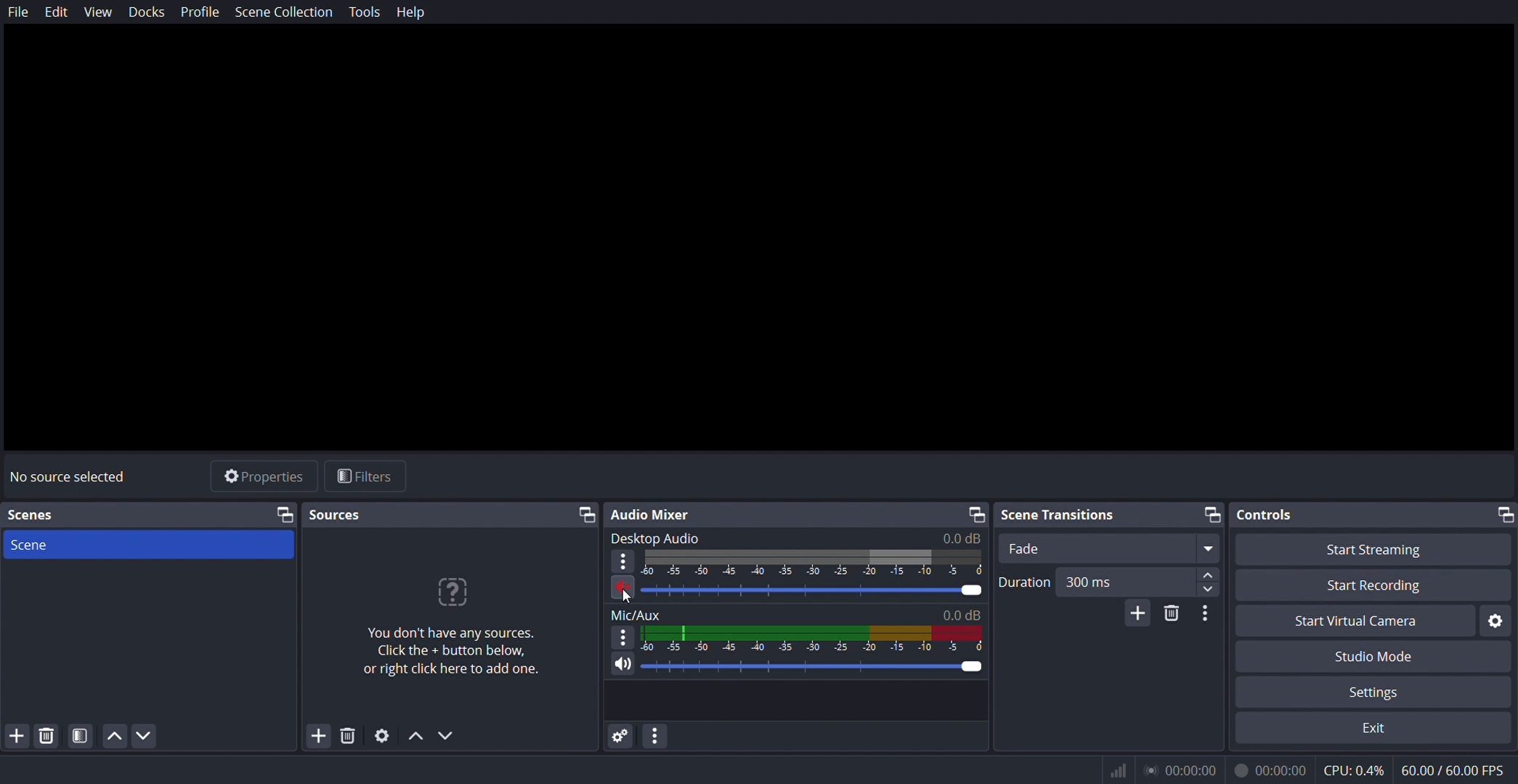  Describe the element at coordinates (1369, 657) in the screenshot. I see `studio mode` at that location.